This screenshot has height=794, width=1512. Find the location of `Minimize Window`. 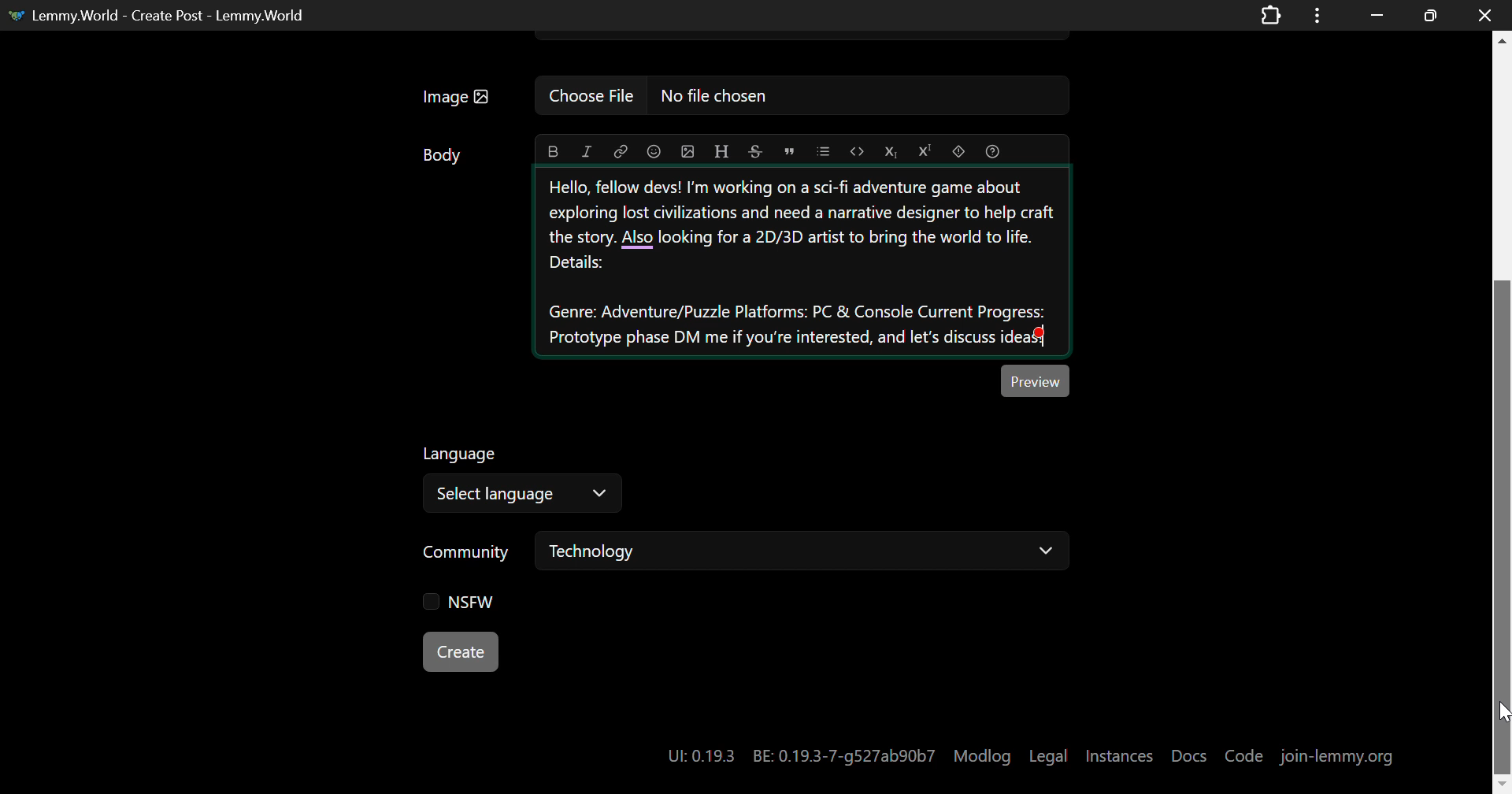

Minimize Window is located at coordinates (1427, 15).